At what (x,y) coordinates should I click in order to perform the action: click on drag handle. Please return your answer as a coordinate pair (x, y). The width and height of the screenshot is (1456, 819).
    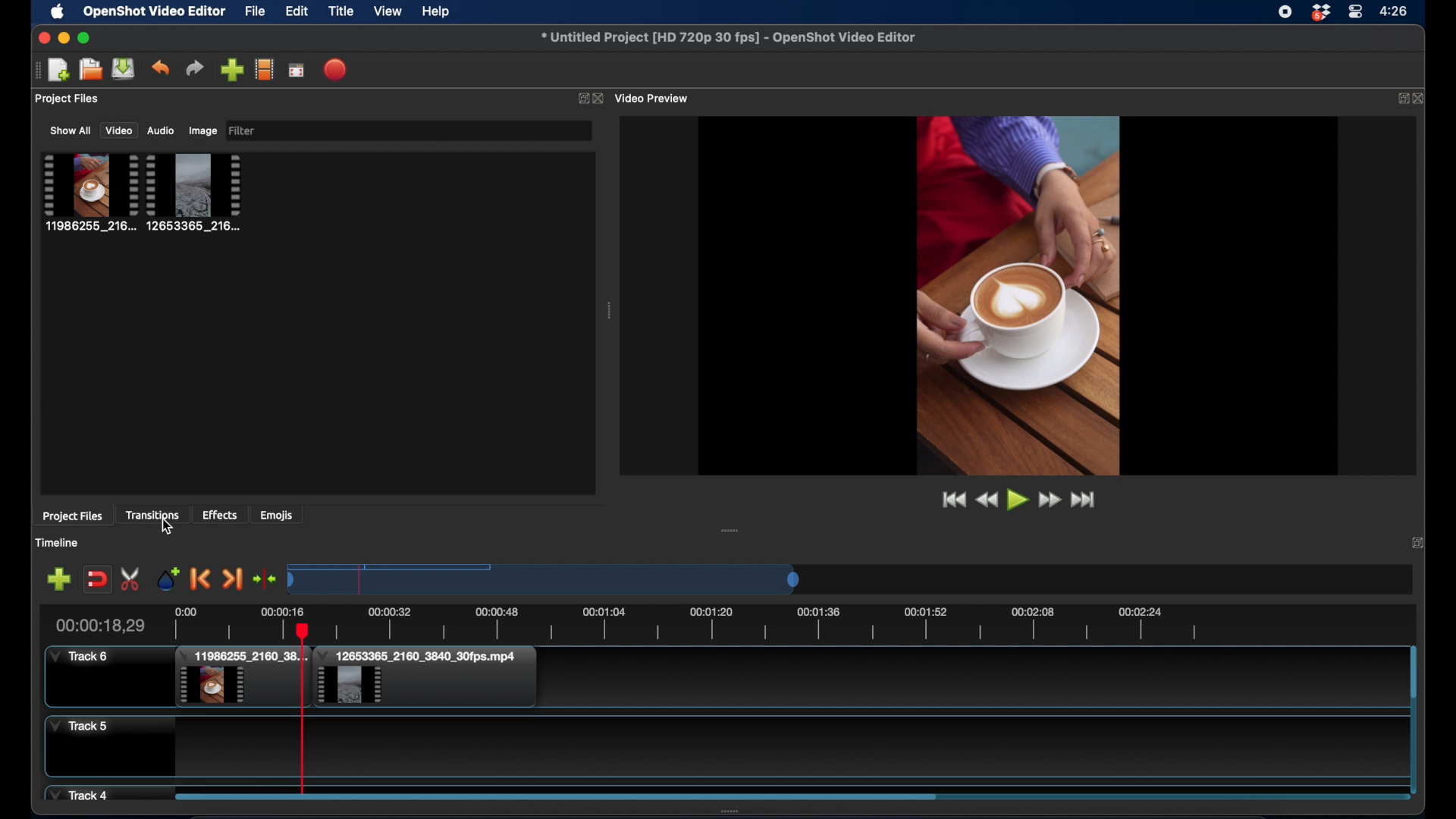
    Looking at the image, I should click on (36, 69).